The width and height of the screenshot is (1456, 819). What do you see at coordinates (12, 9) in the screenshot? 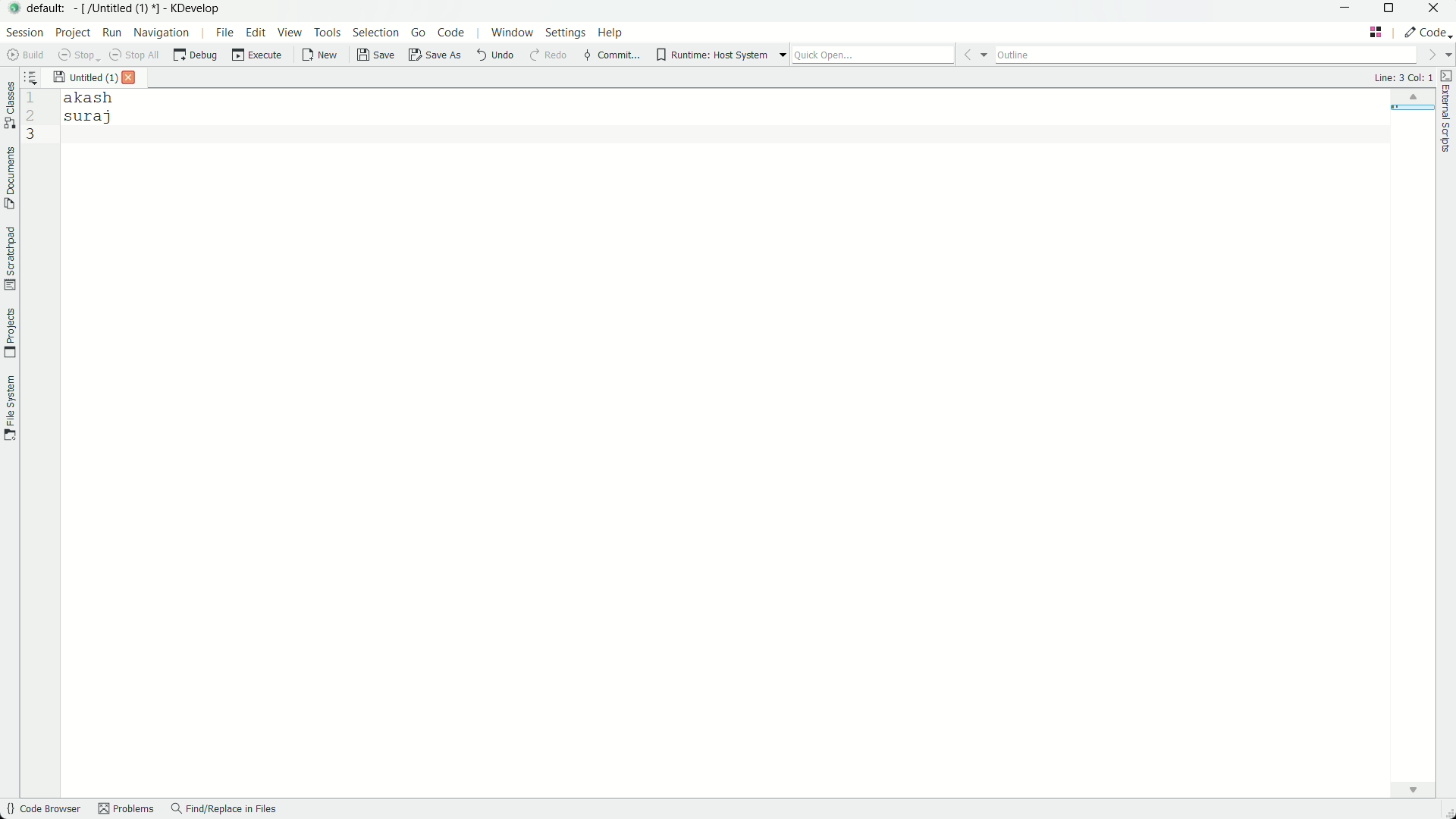
I see `app icon` at bounding box center [12, 9].